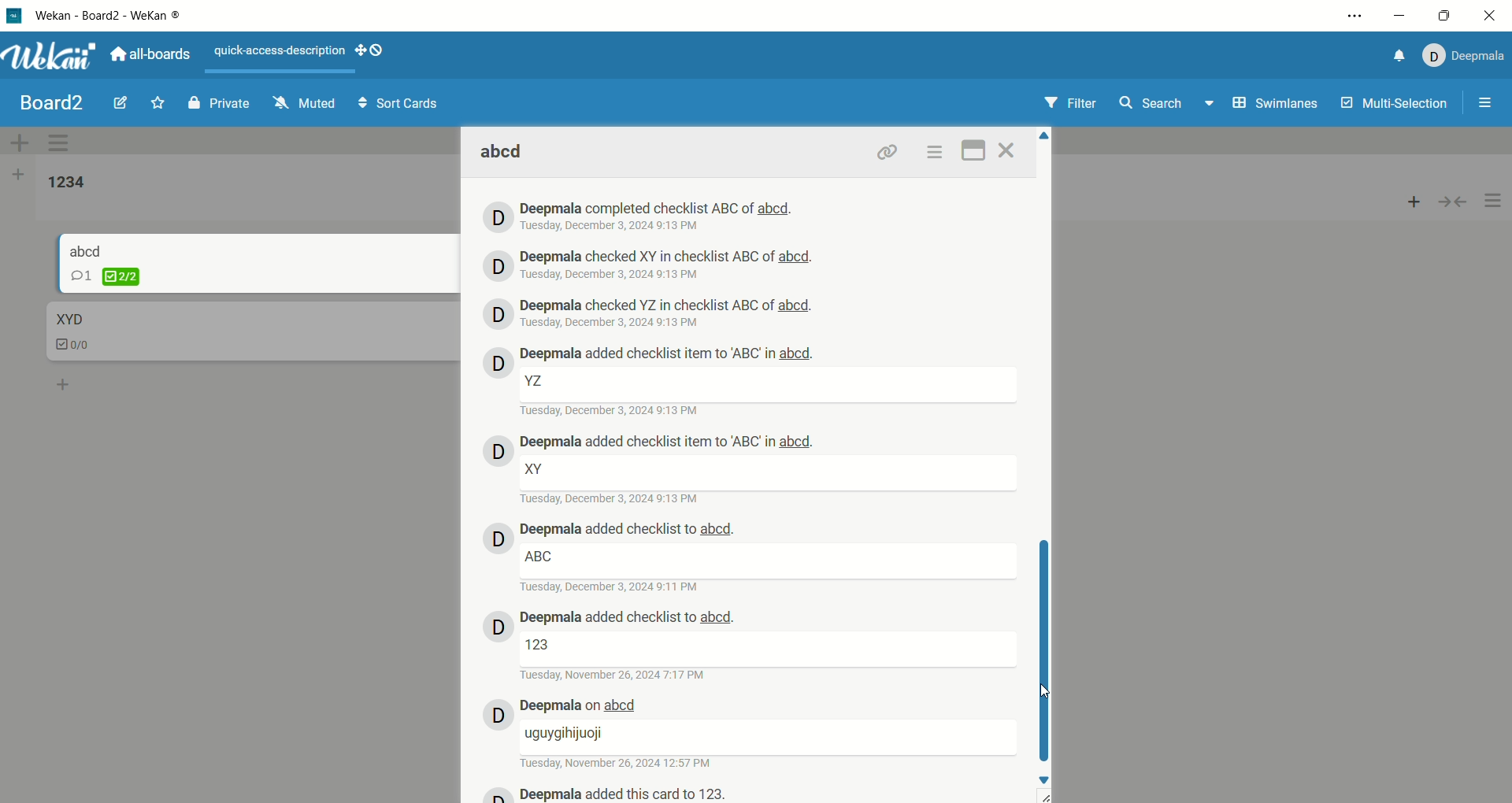 This screenshot has width=1512, height=803. Describe the element at coordinates (159, 102) in the screenshot. I see `favorite` at that location.